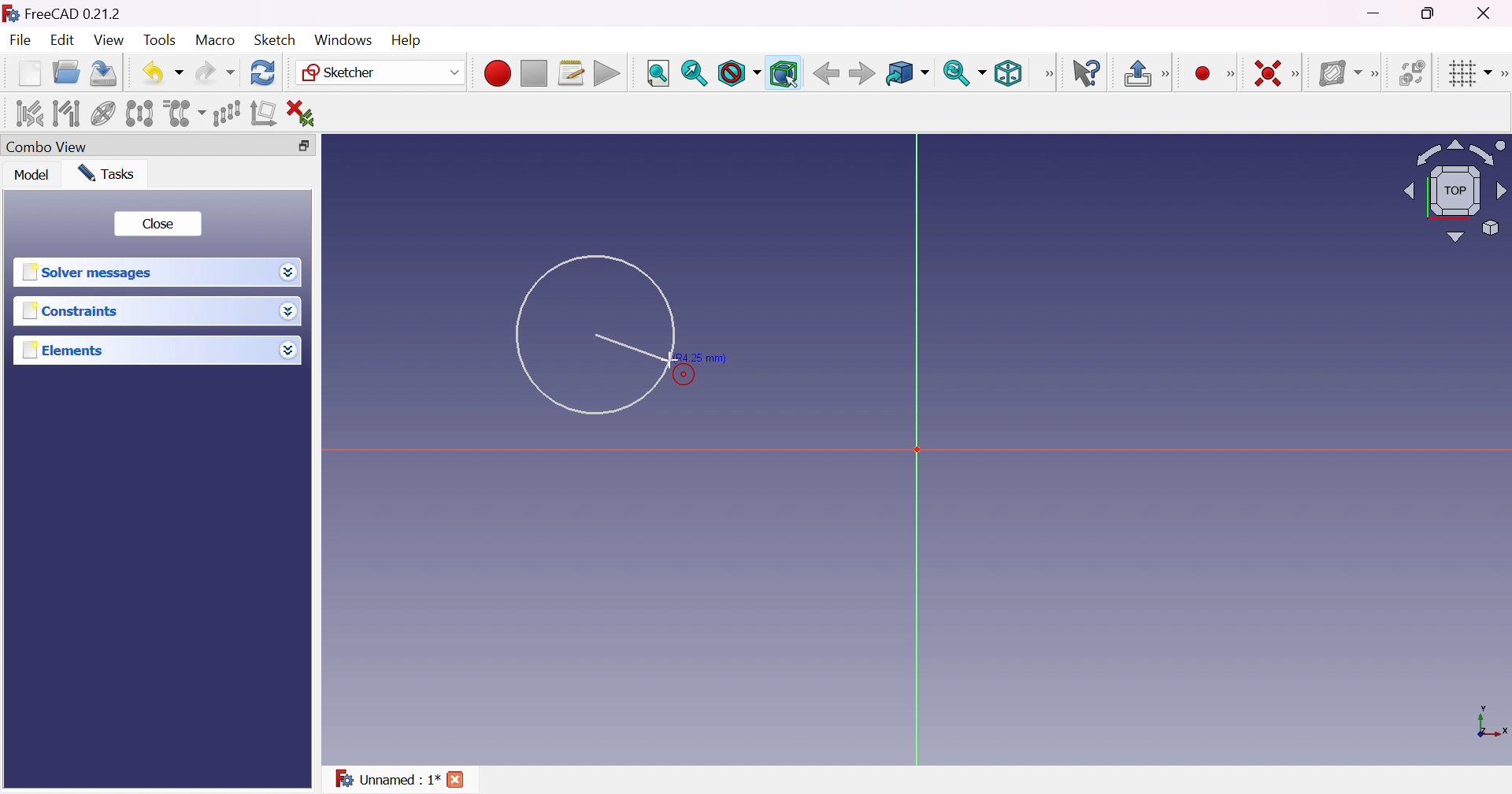 The height and width of the screenshot is (794, 1512). What do you see at coordinates (1136, 72) in the screenshot?
I see `Leave sketch` at bounding box center [1136, 72].